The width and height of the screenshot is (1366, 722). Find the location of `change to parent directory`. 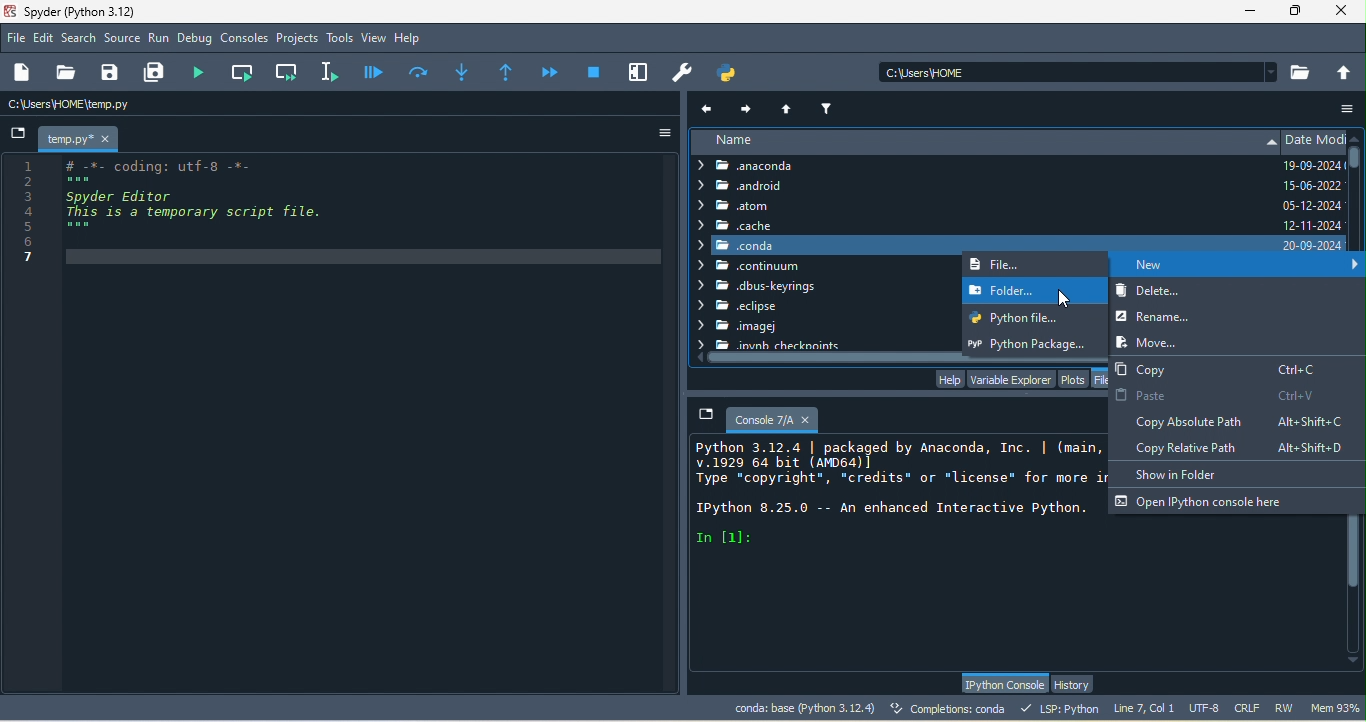

change to parent directory is located at coordinates (1345, 71).